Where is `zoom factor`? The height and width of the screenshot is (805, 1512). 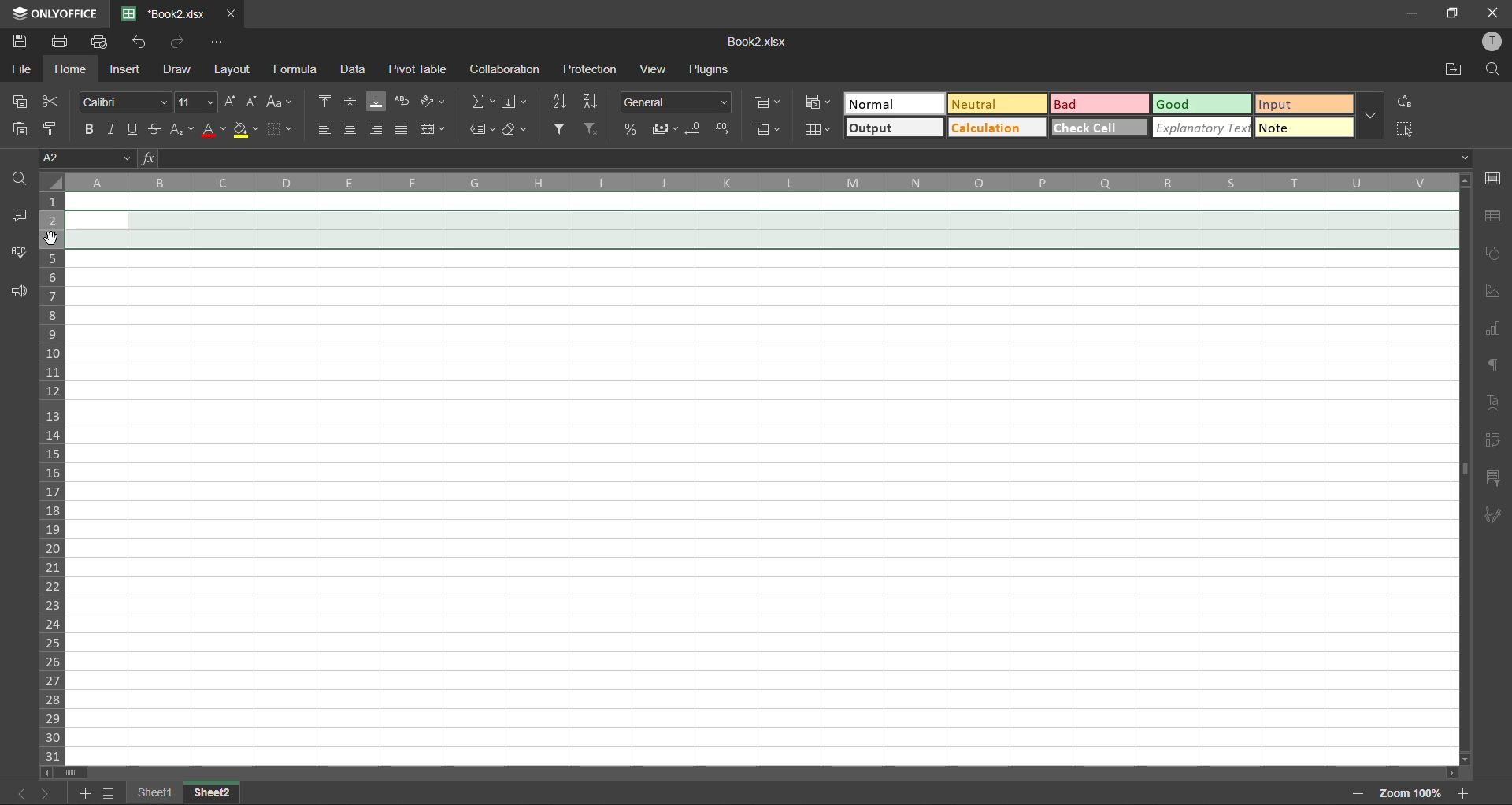
zoom factor is located at coordinates (1410, 793).